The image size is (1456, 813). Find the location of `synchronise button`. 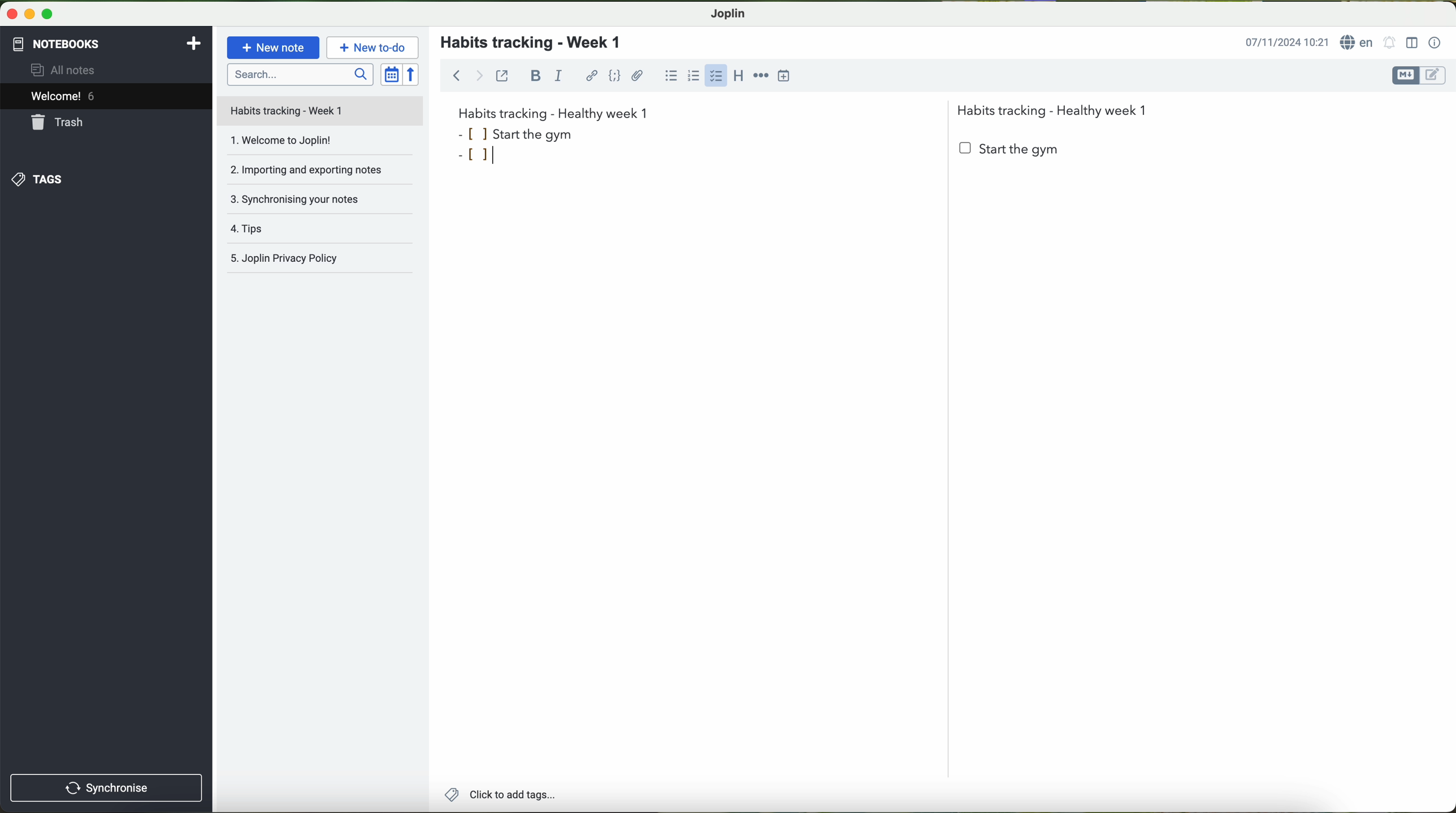

synchronise button is located at coordinates (107, 788).